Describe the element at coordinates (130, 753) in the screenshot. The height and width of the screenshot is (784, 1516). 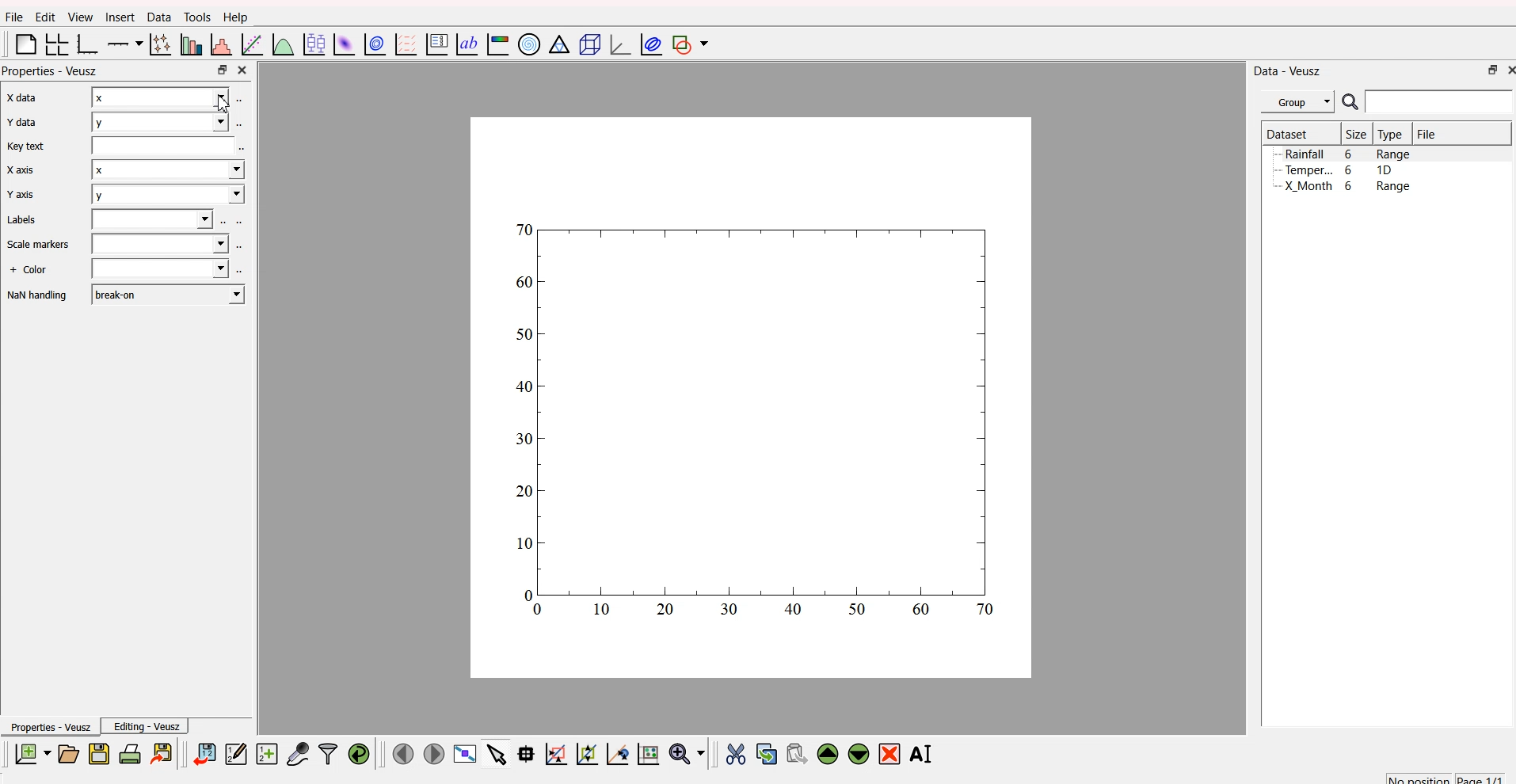
I see `print document` at that location.